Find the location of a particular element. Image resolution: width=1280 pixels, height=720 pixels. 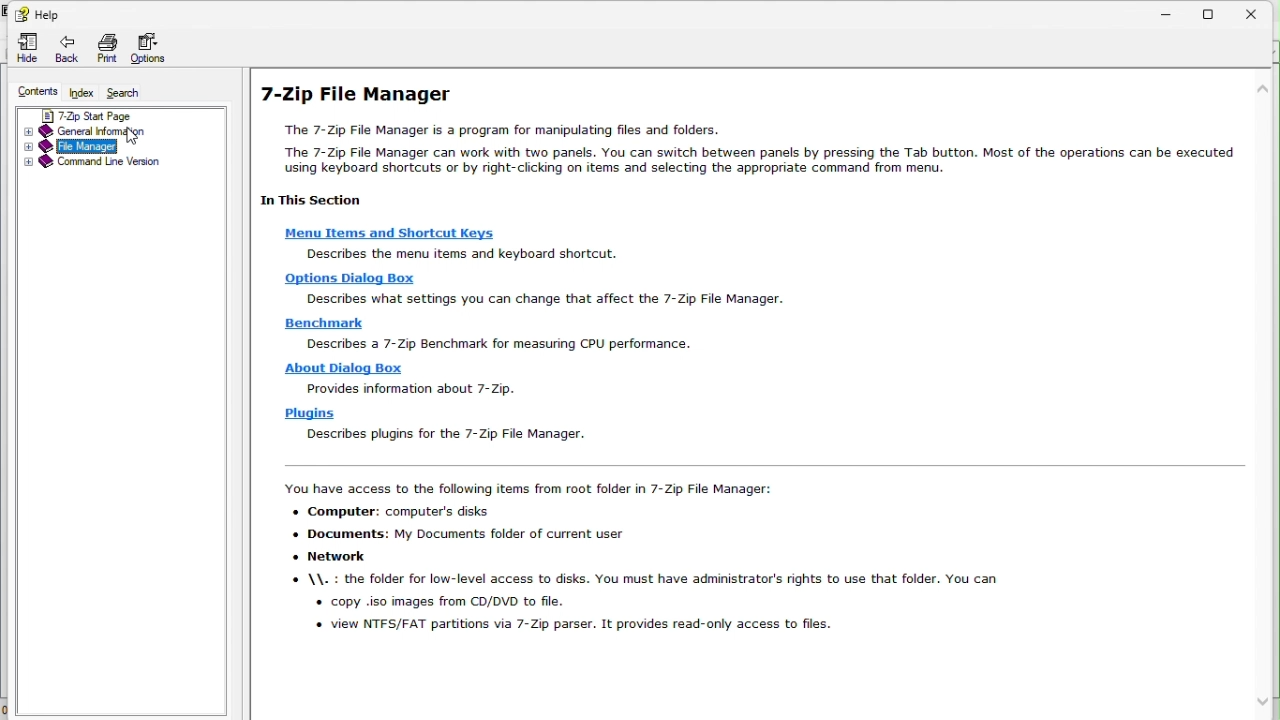

index is located at coordinates (84, 94).